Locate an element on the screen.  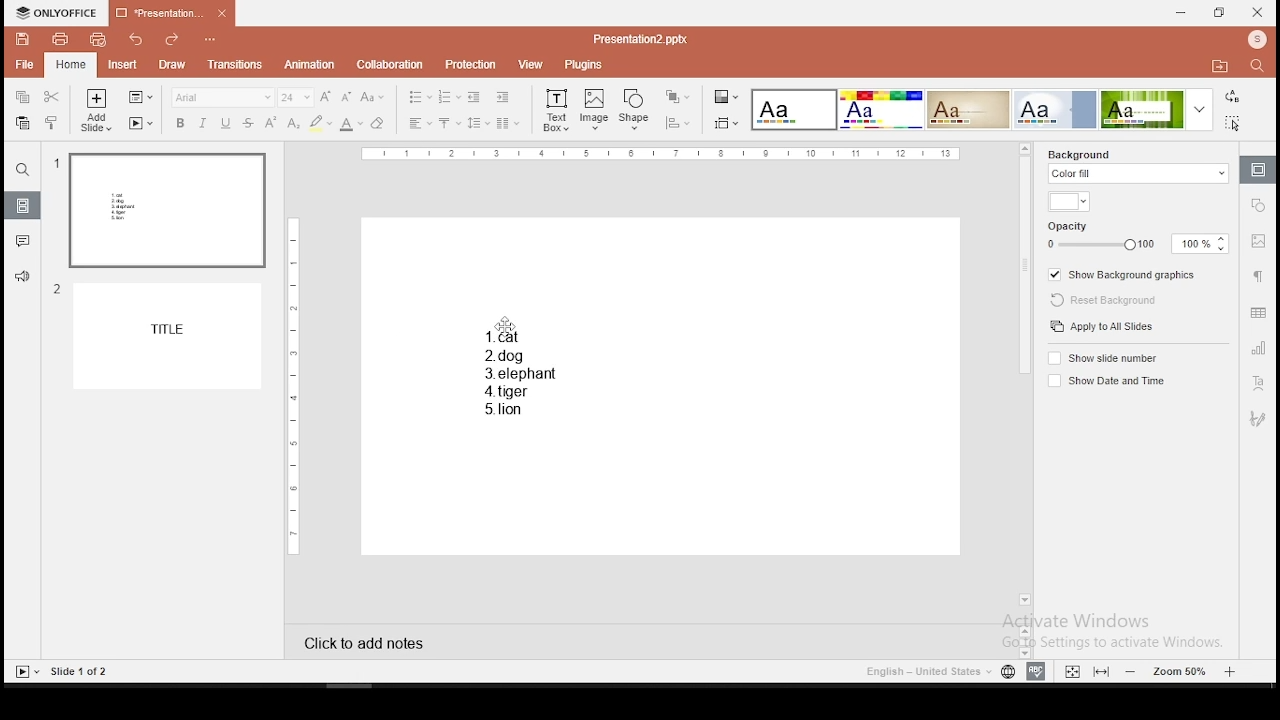
collaboration is located at coordinates (390, 65).